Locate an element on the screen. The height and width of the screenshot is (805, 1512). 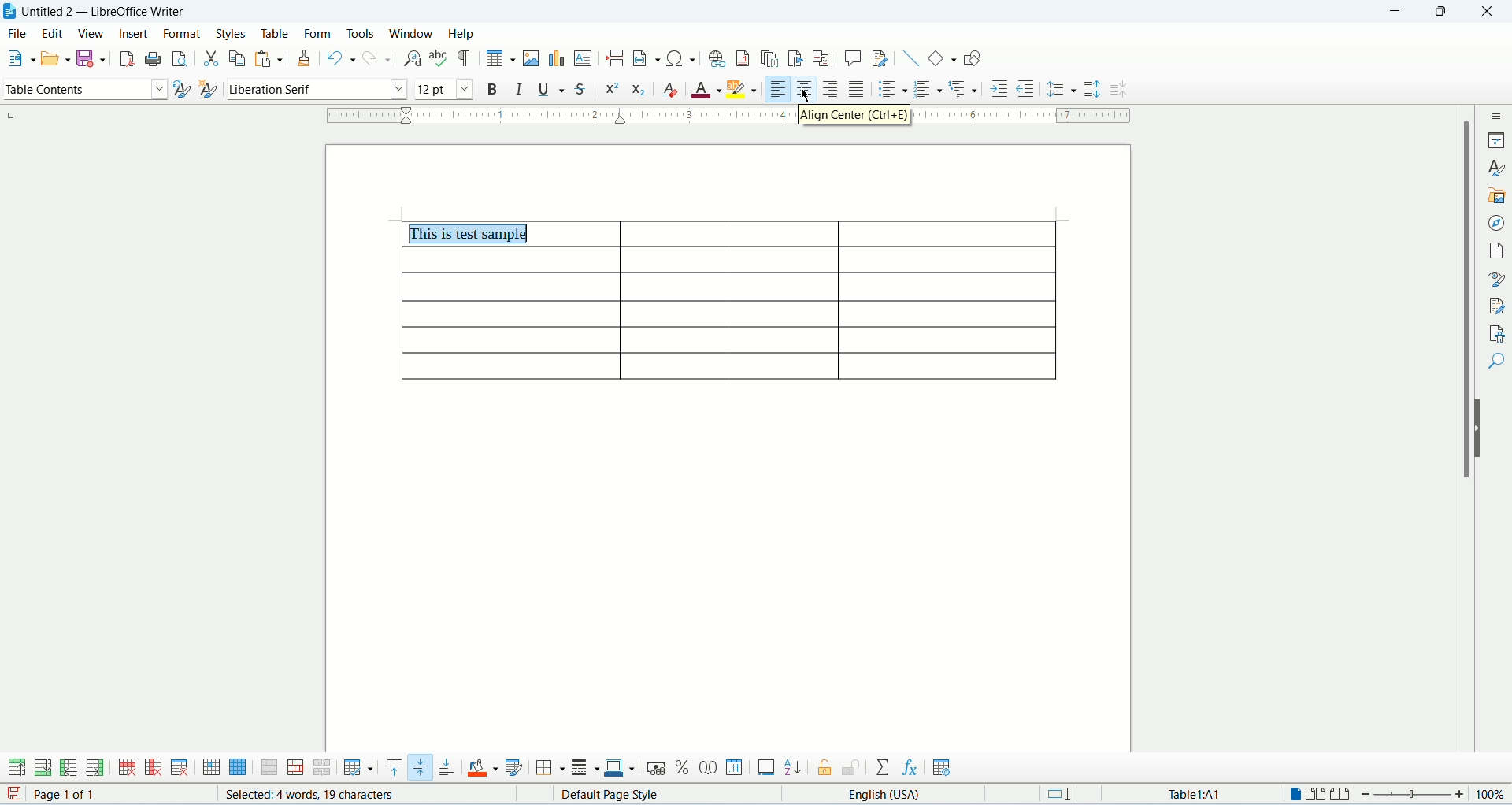
inser columns after is located at coordinates (94, 768).